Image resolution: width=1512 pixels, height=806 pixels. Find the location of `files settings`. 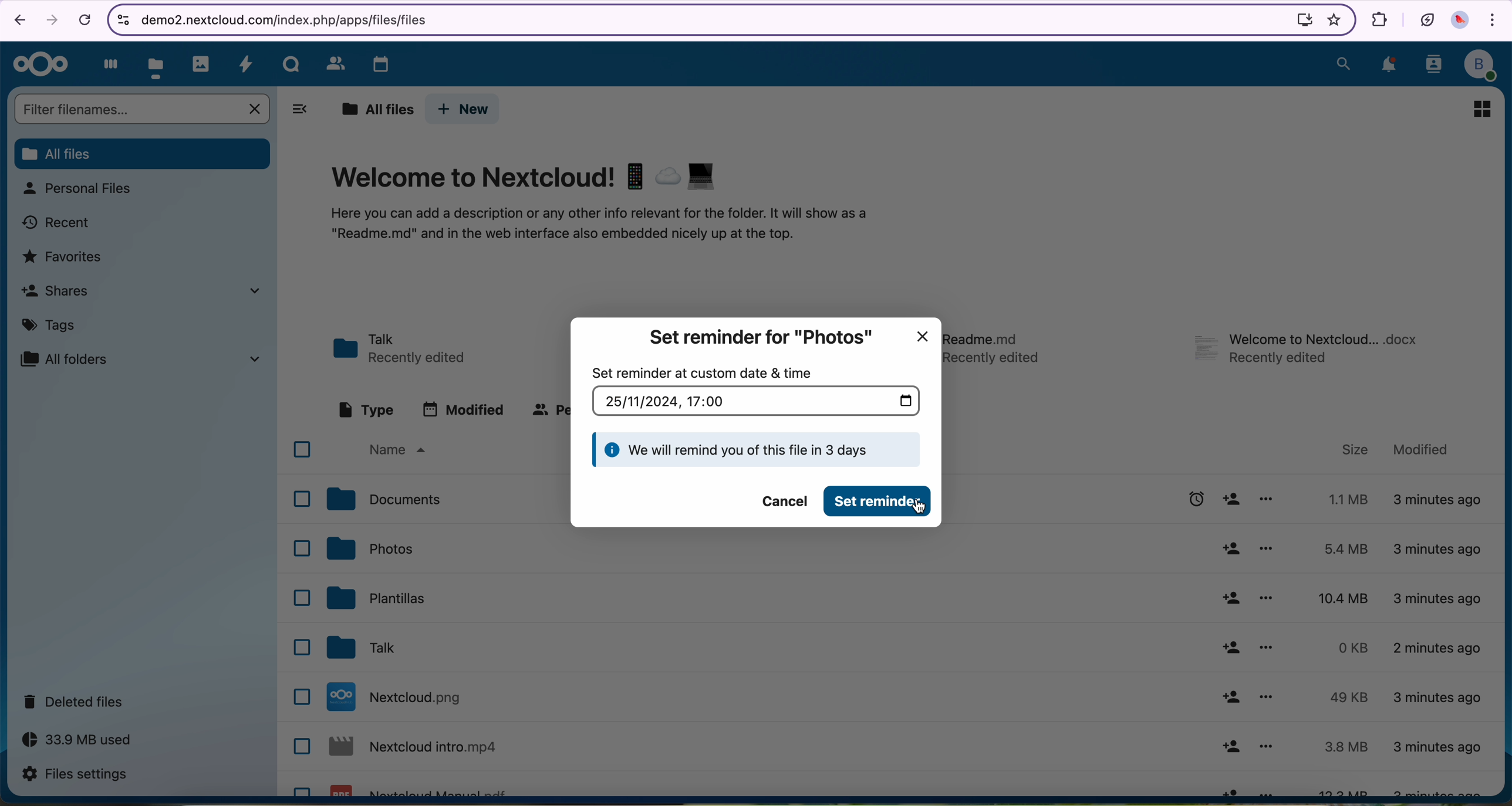

files settings is located at coordinates (75, 775).